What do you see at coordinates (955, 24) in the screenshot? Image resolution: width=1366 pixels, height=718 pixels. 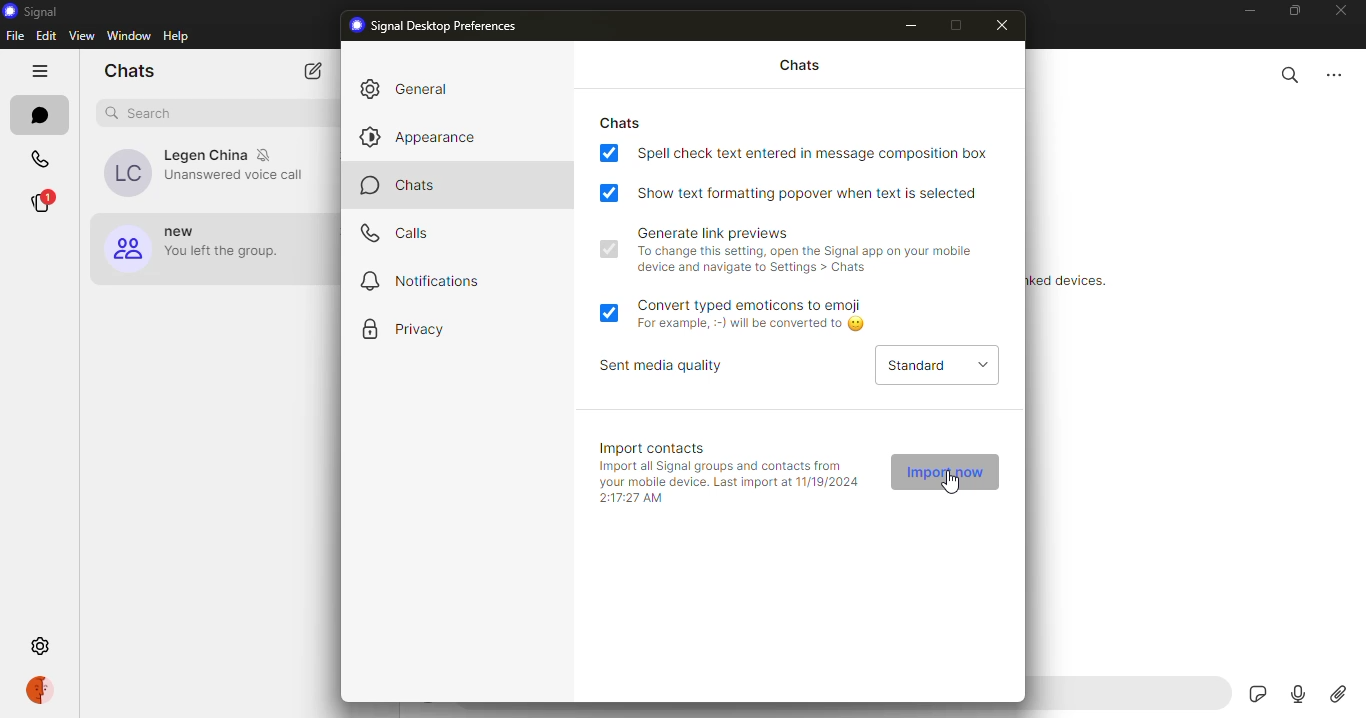 I see `maximize` at bounding box center [955, 24].